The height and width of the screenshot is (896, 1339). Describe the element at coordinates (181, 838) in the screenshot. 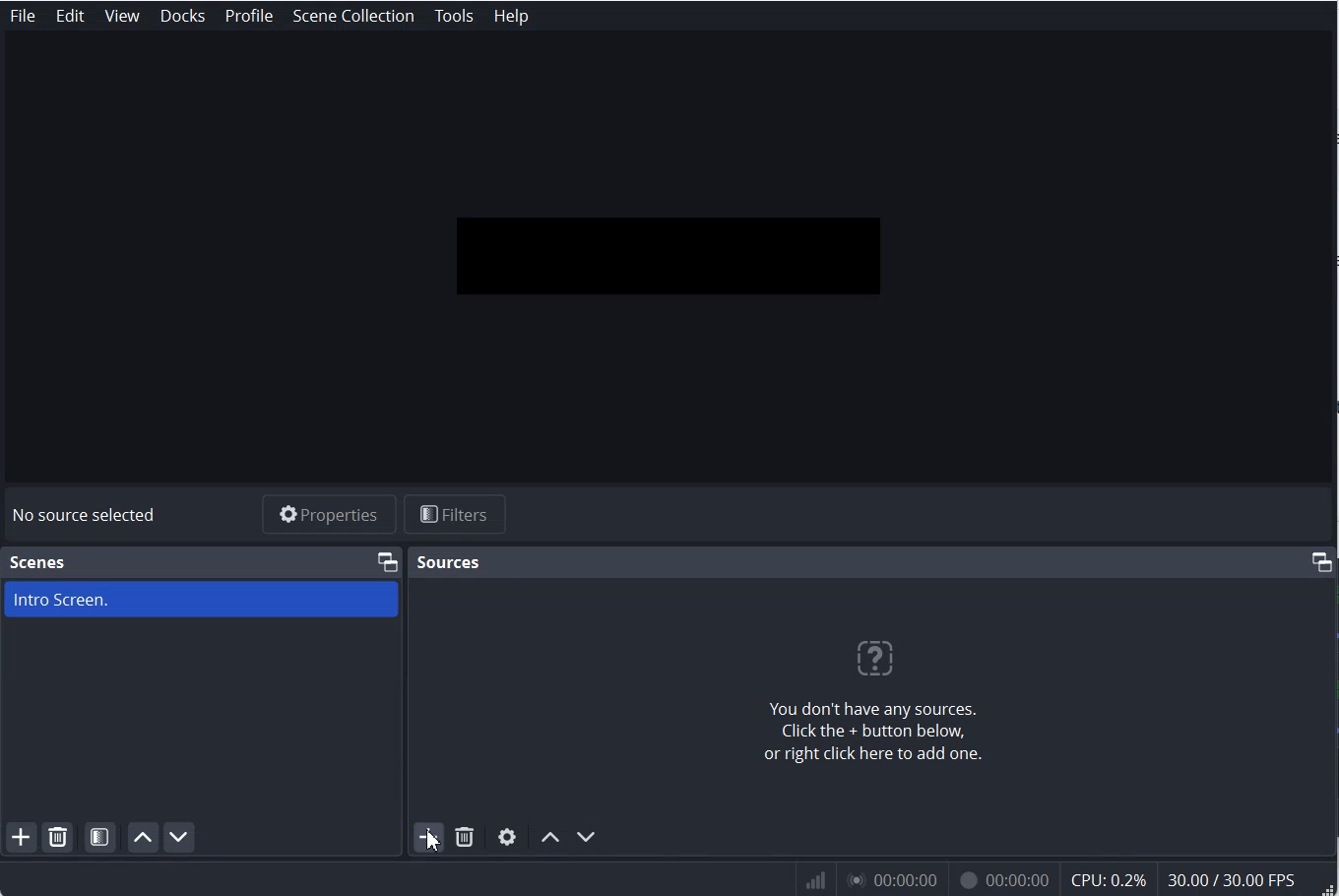

I see `Move Scene Down` at that location.